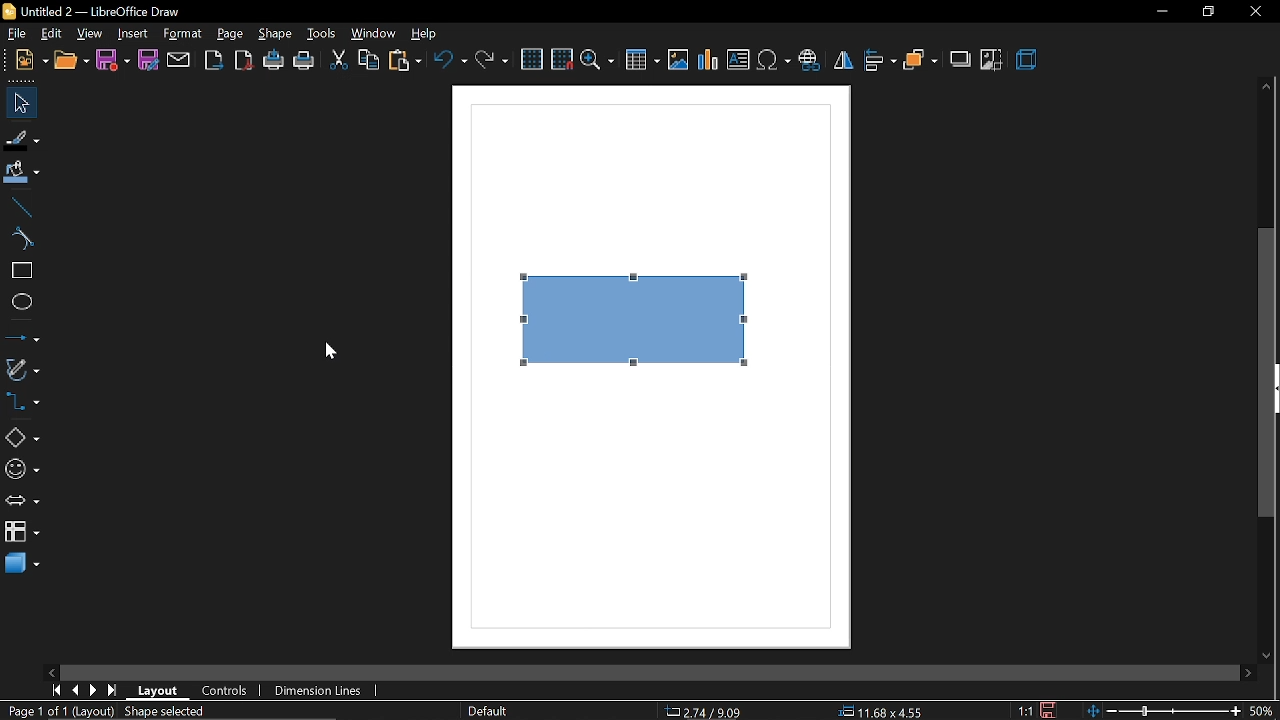 This screenshot has width=1280, height=720. What do you see at coordinates (1267, 373) in the screenshot?
I see `vertical scrollbar` at bounding box center [1267, 373].